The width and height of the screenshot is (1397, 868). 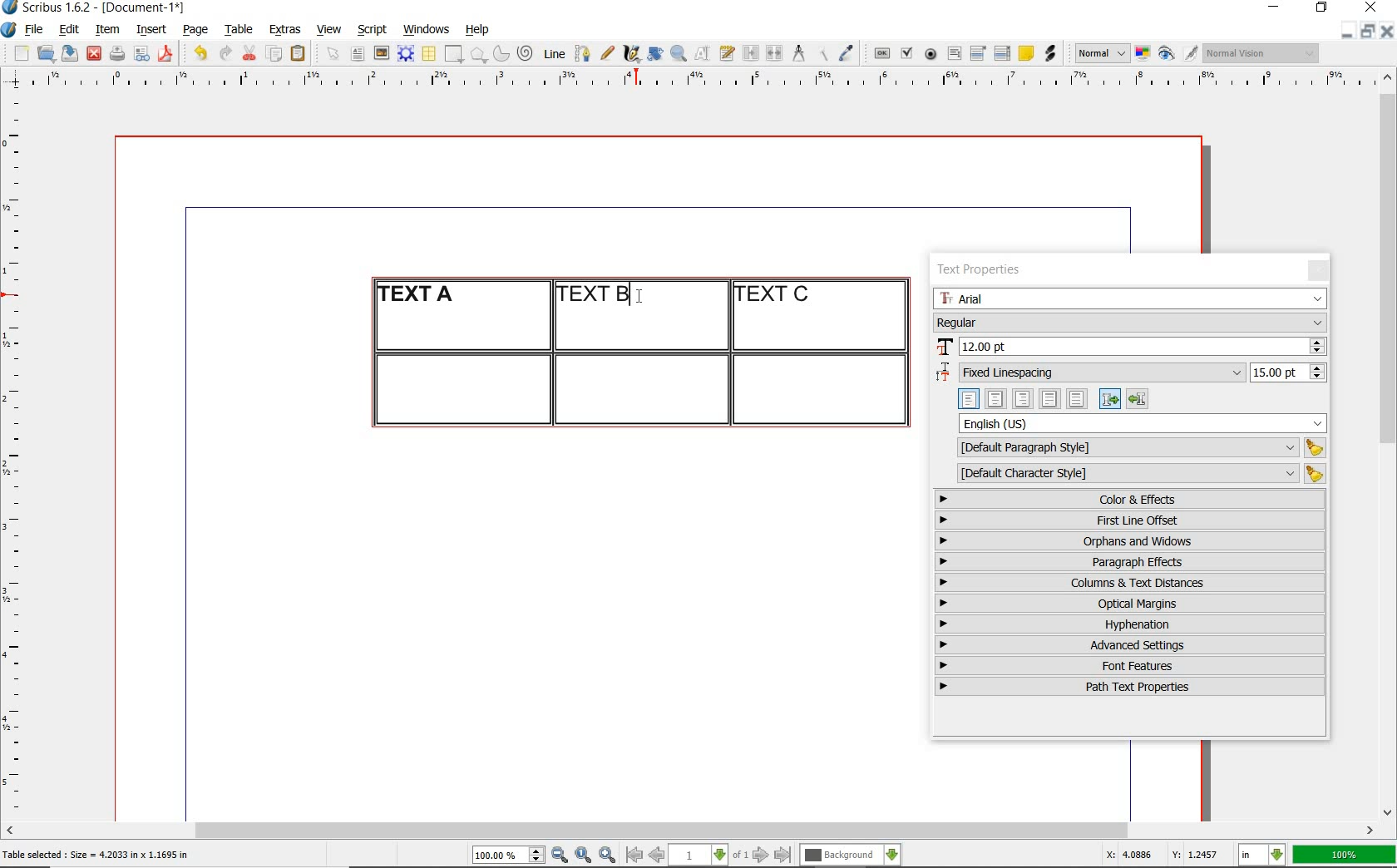 What do you see at coordinates (783, 856) in the screenshot?
I see `go to last page` at bounding box center [783, 856].